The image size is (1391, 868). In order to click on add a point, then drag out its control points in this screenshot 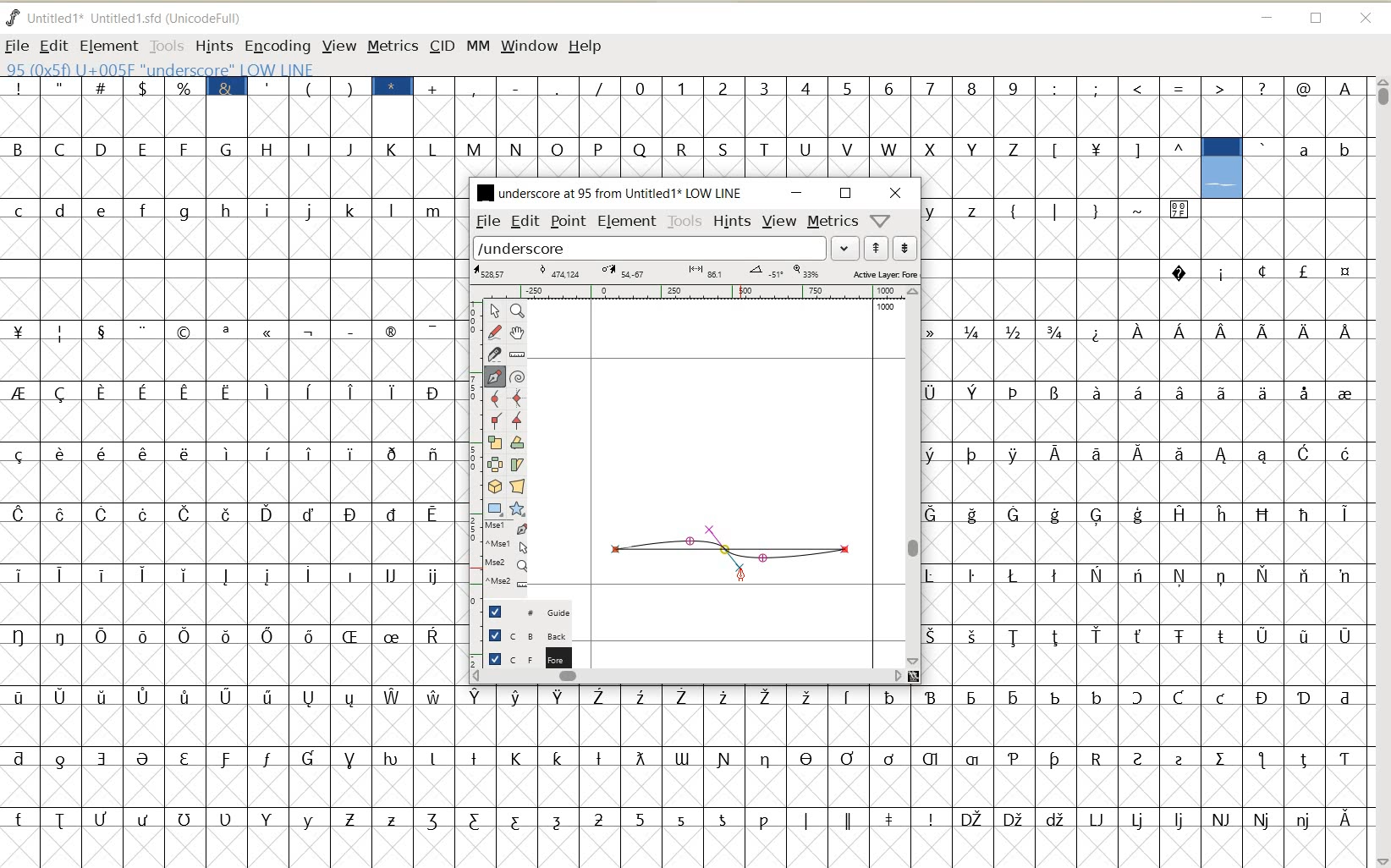, I will do `click(495, 377)`.